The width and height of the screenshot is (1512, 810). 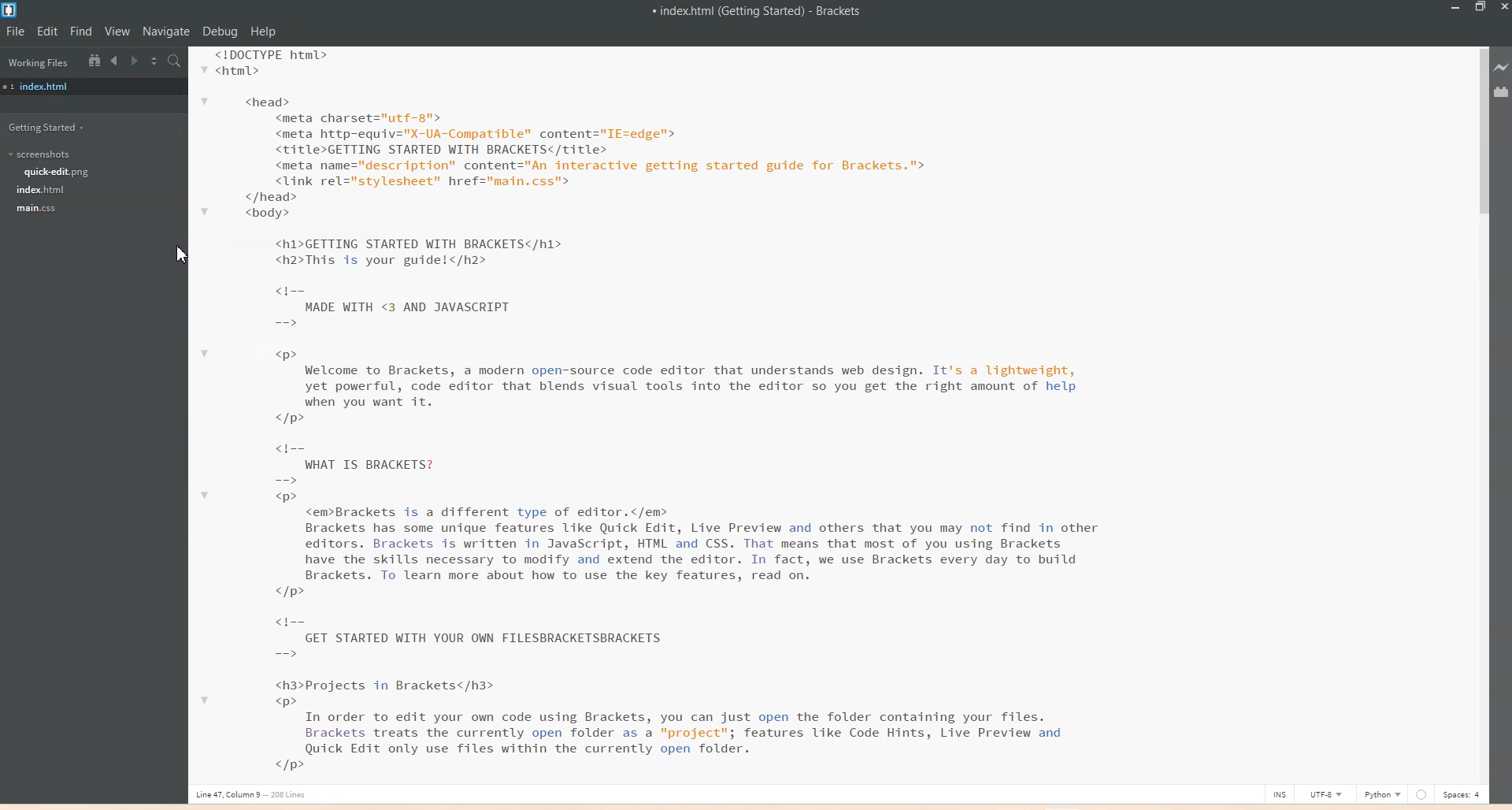 I want to click on Maximize, so click(x=1480, y=8).